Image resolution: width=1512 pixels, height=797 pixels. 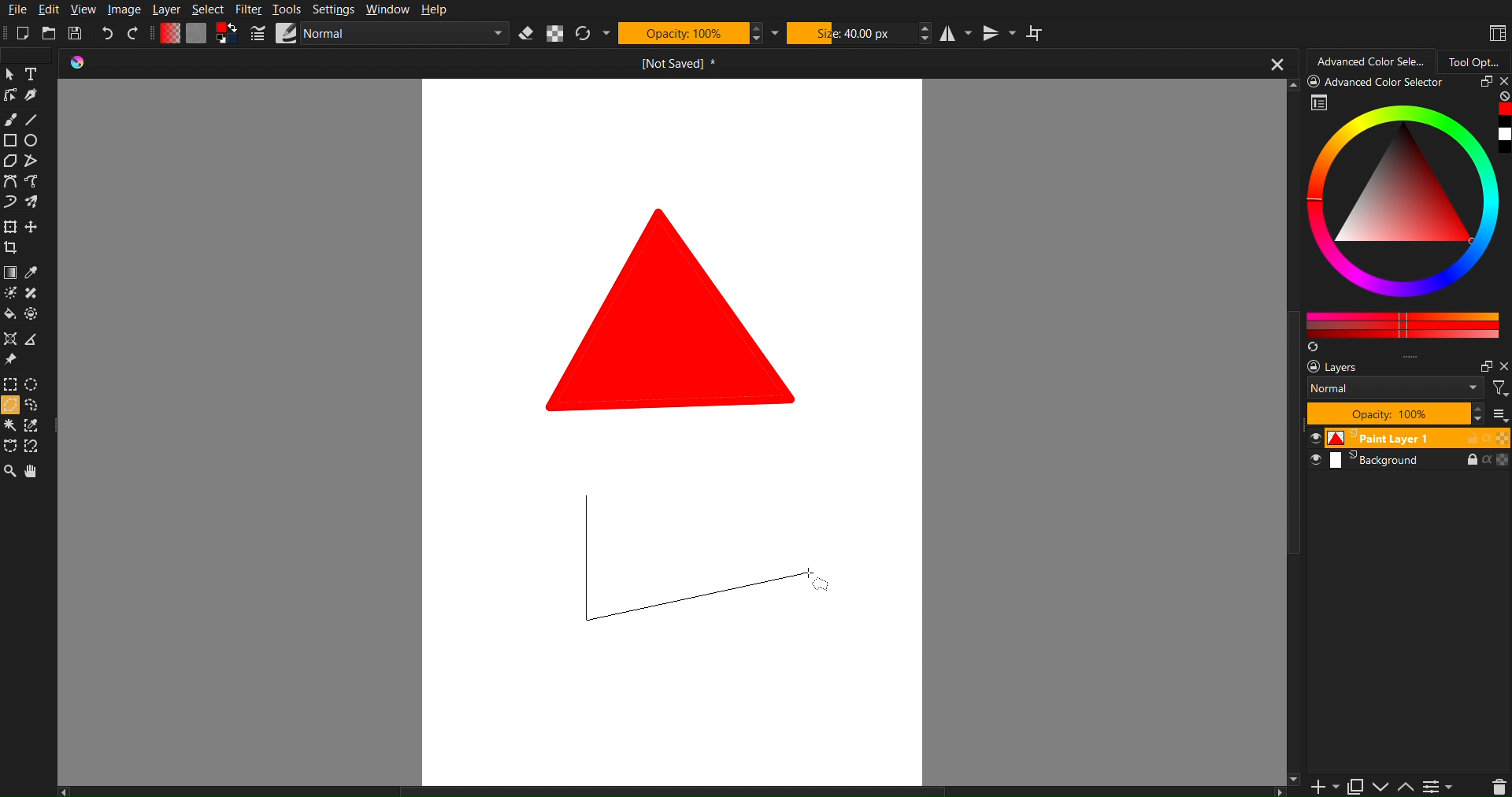 I want to click on selection free shape, so click(x=9, y=445).